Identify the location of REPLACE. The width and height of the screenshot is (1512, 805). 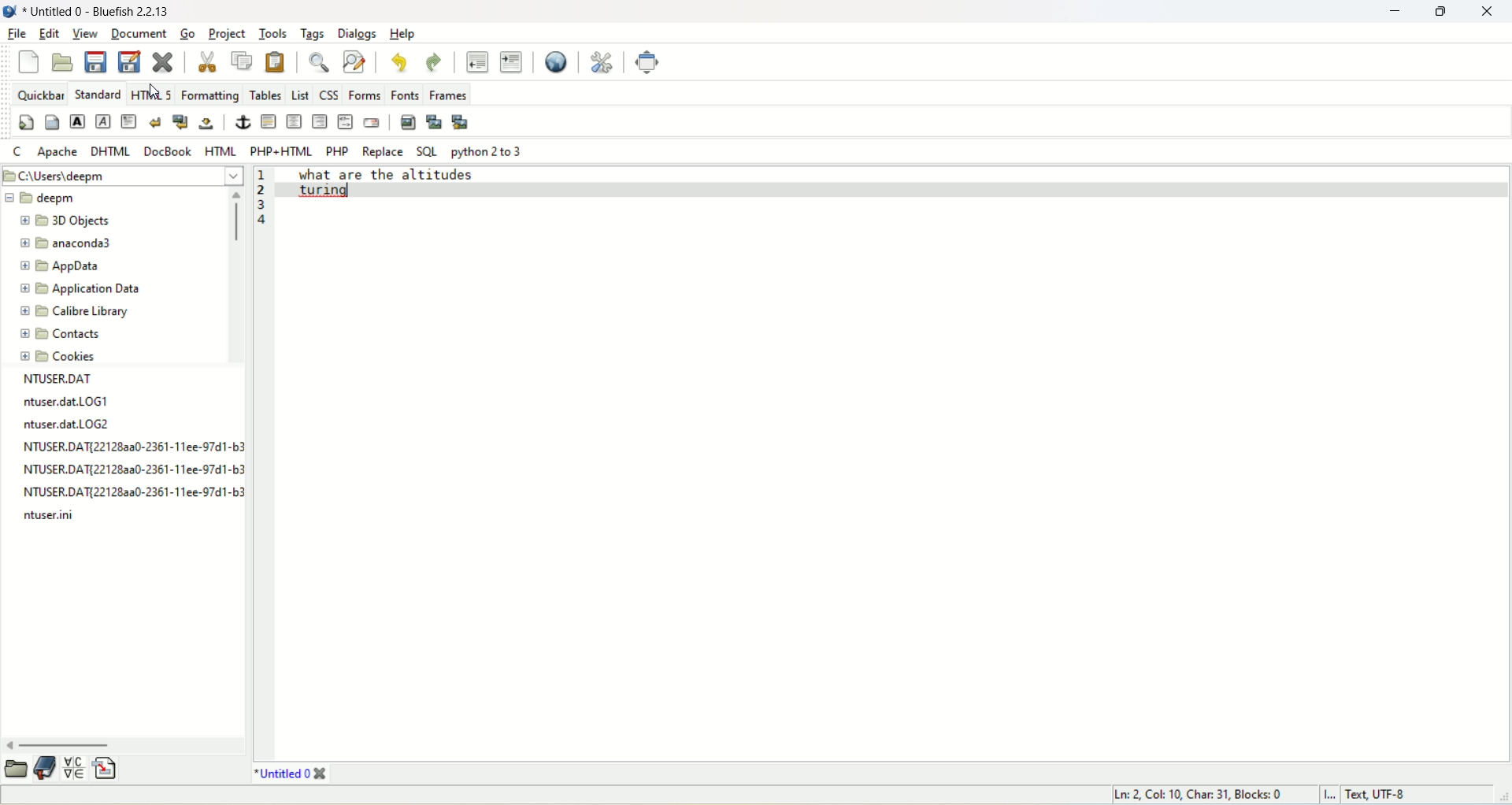
(384, 150).